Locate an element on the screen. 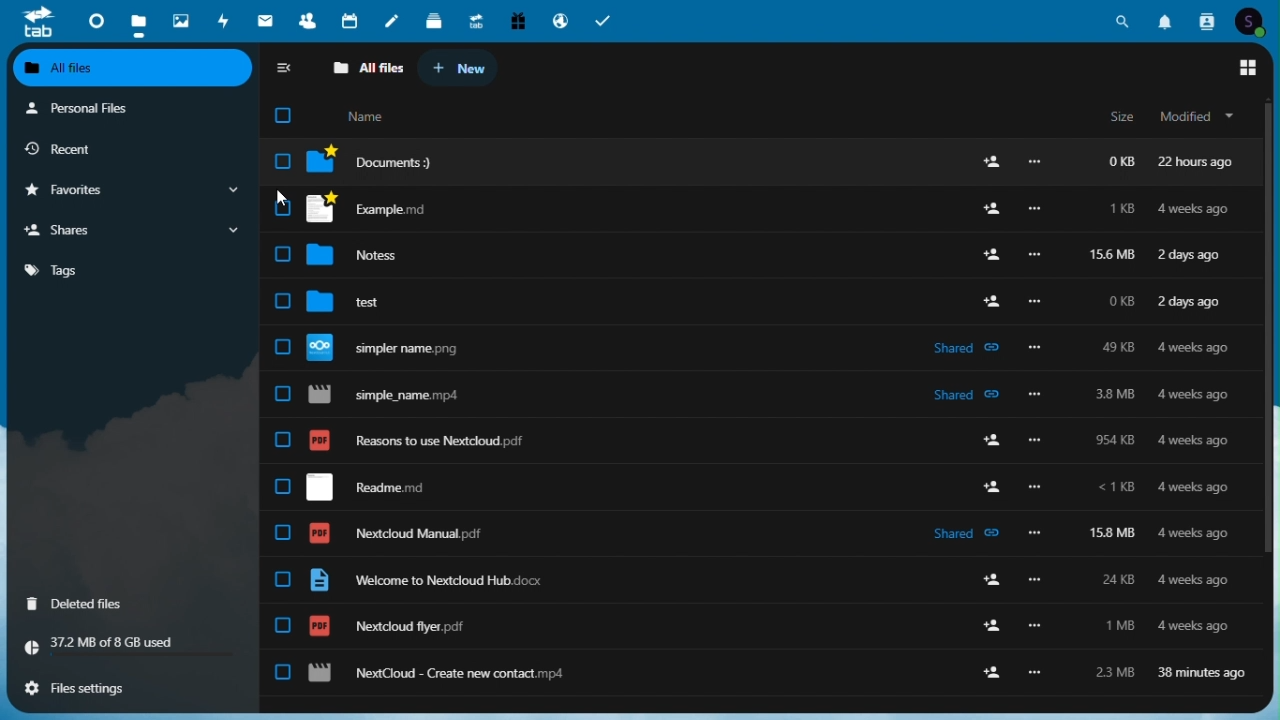 Image resolution: width=1280 pixels, height=720 pixels. main menu is located at coordinates (1251, 69).